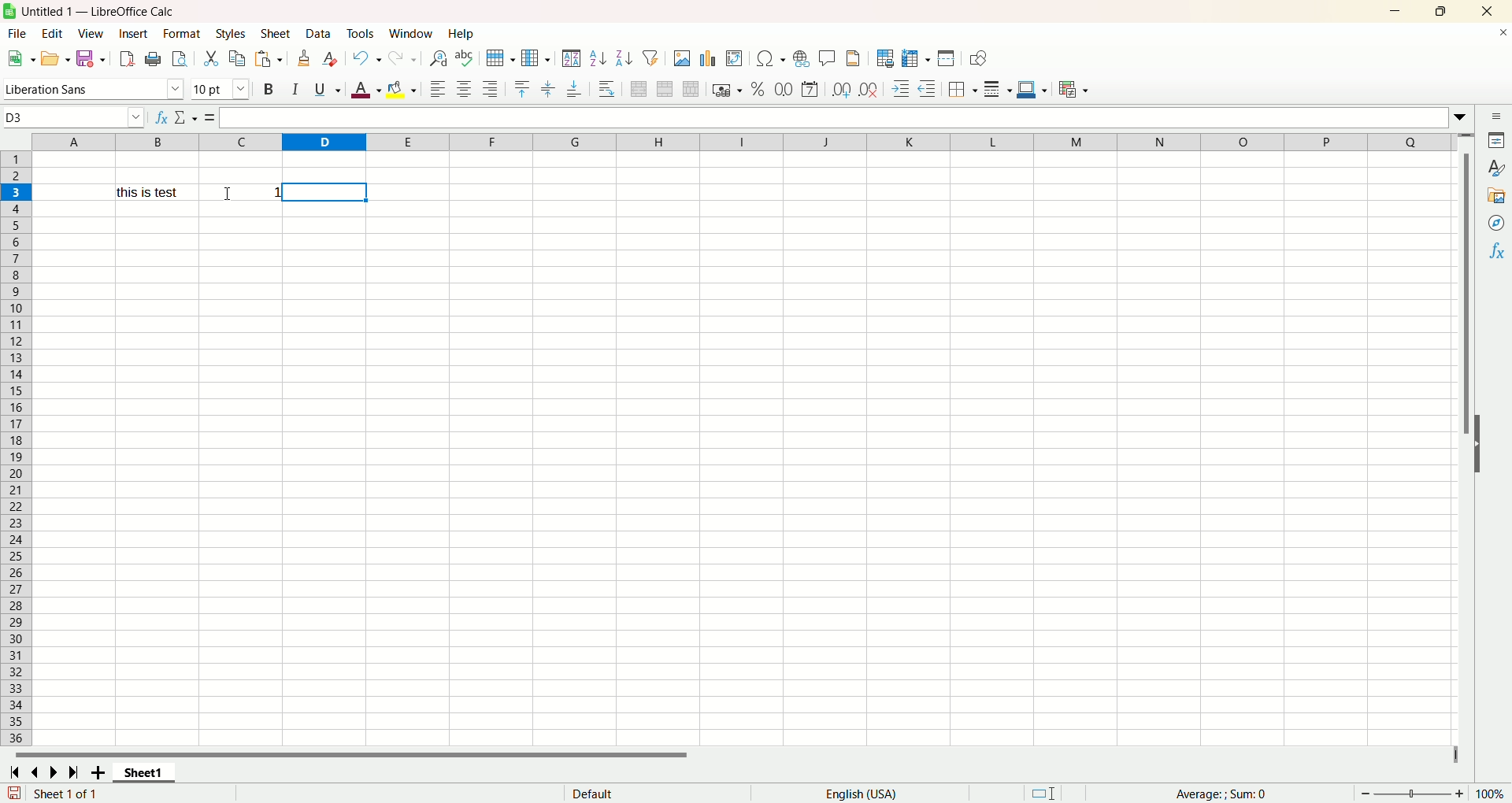 Image resolution: width=1512 pixels, height=803 pixels. What do you see at coordinates (361, 35) in the screenshot?
I see `tools` at bounding box center [361, 35].